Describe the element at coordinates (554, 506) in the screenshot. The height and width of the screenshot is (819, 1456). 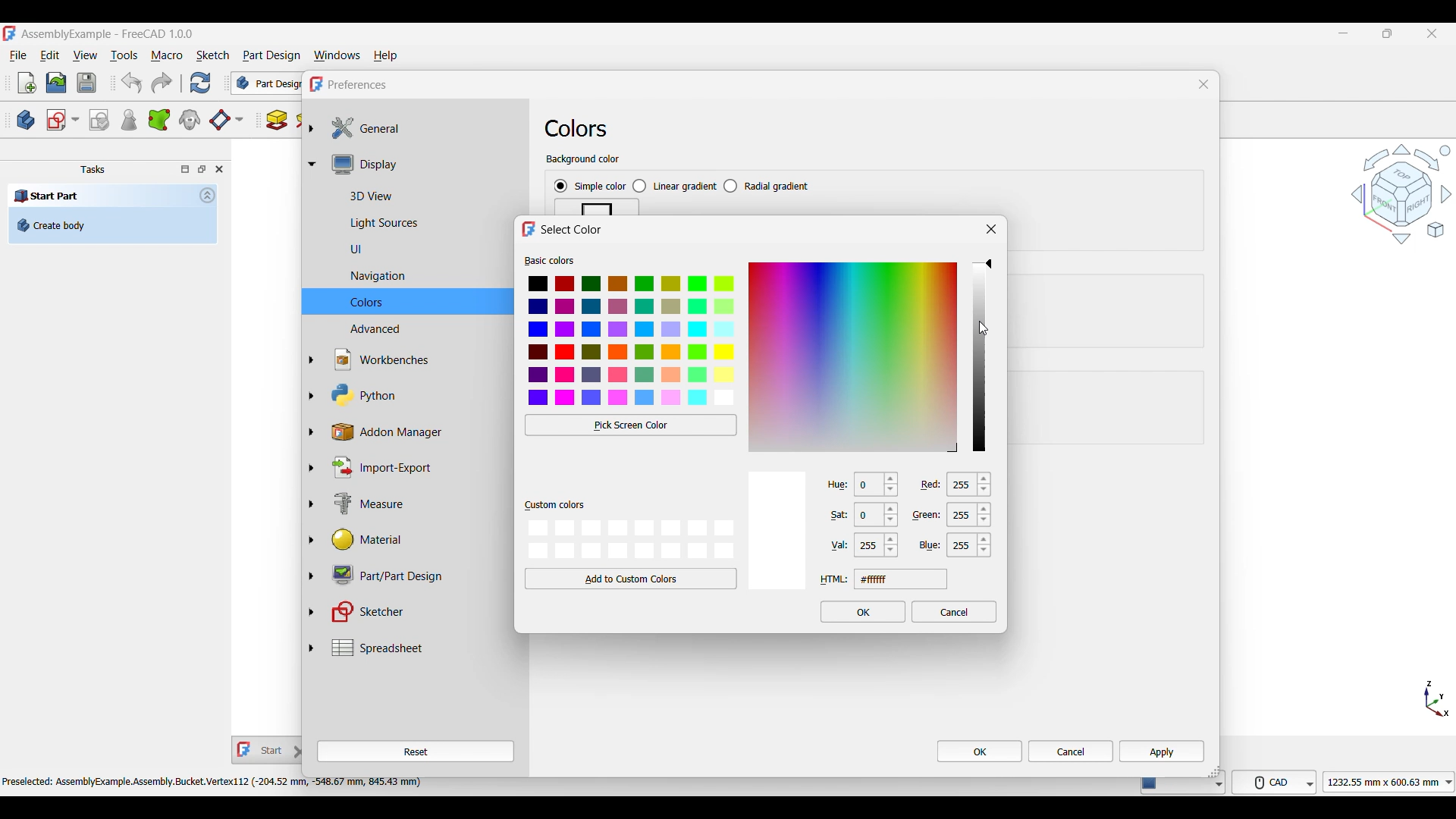
I see `custom colors` at that location.